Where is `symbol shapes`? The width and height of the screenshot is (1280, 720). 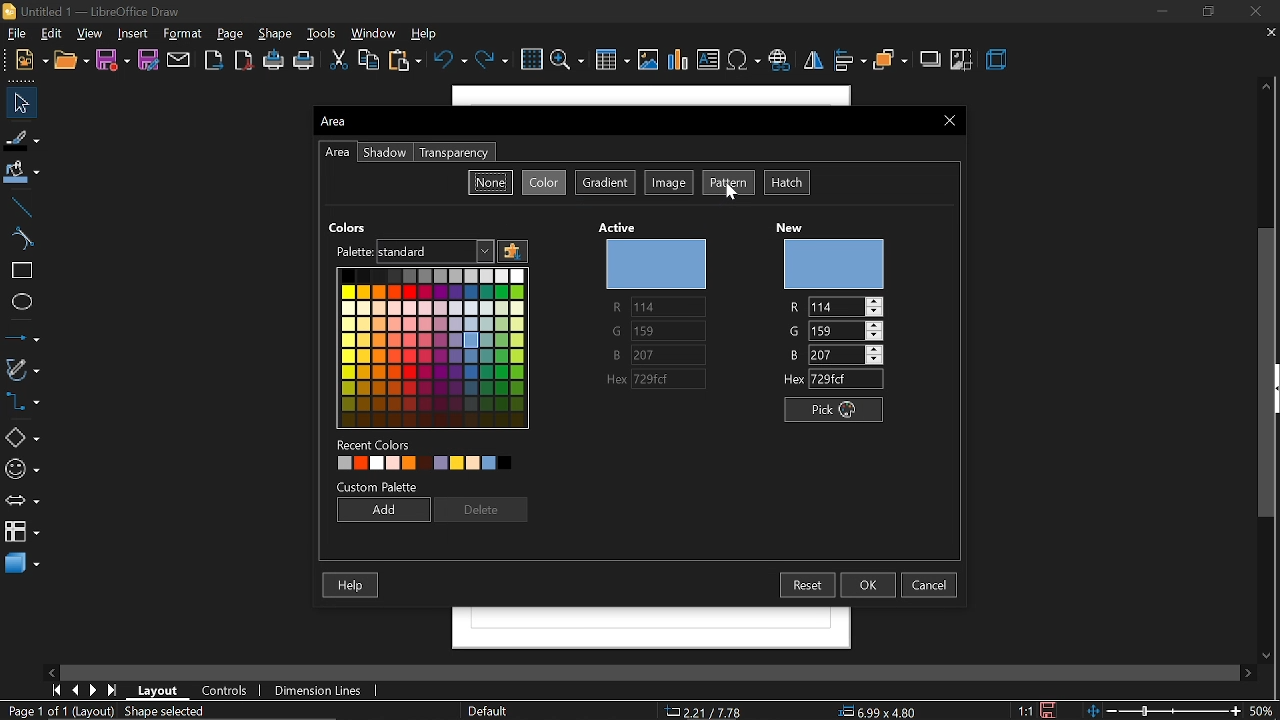
symbol shapes is located at coordinates (22, 469).